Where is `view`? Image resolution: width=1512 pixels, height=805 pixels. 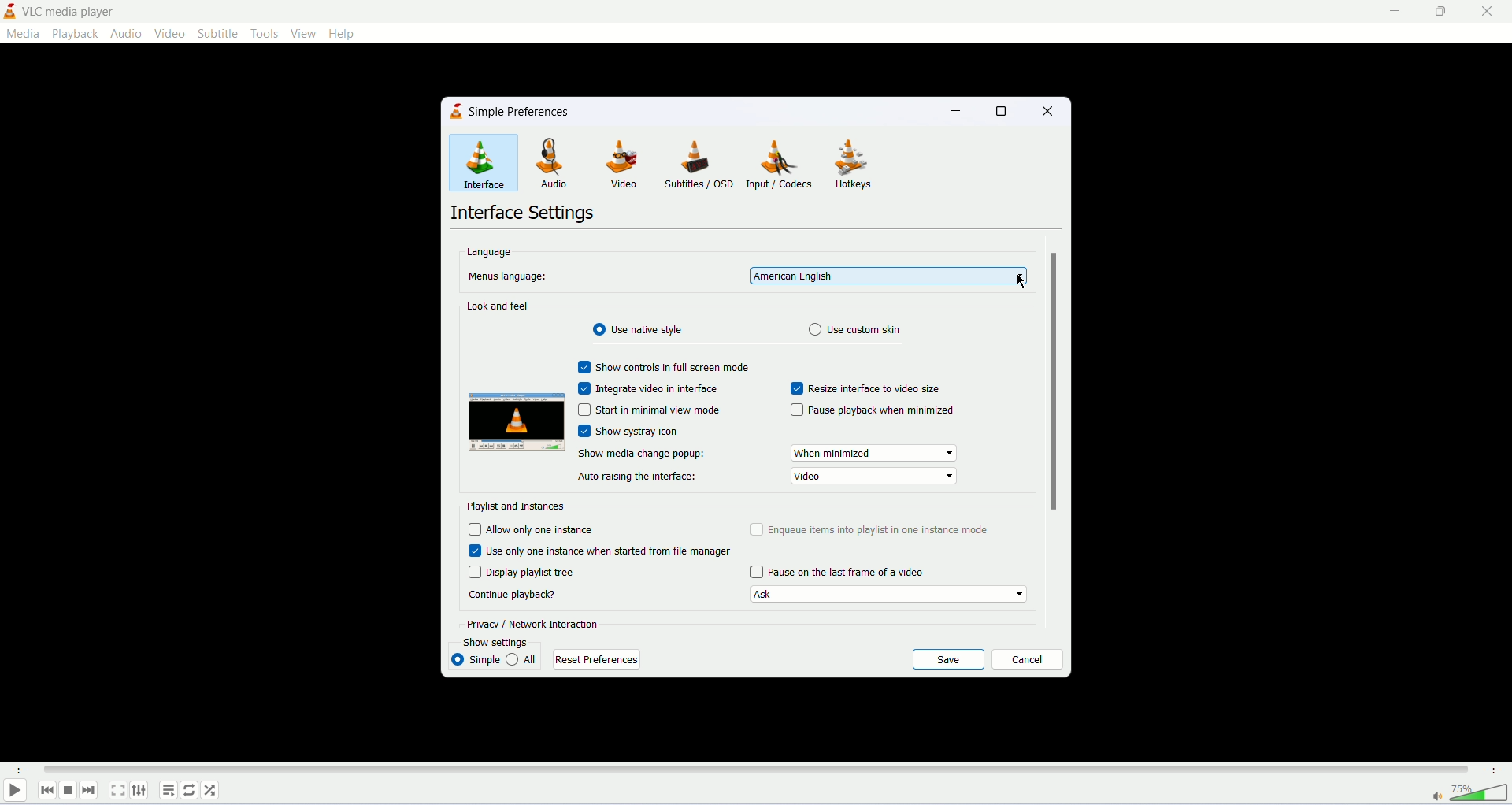
view is located at coordinates (303, 33).